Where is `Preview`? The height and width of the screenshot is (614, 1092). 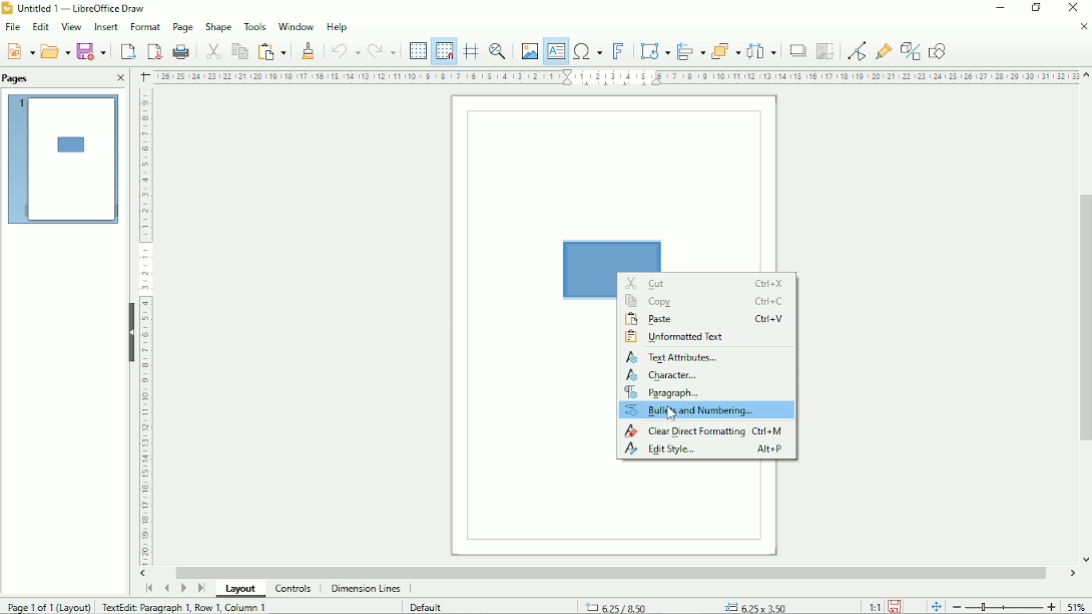 Preview is located at coordinates (63, 160).